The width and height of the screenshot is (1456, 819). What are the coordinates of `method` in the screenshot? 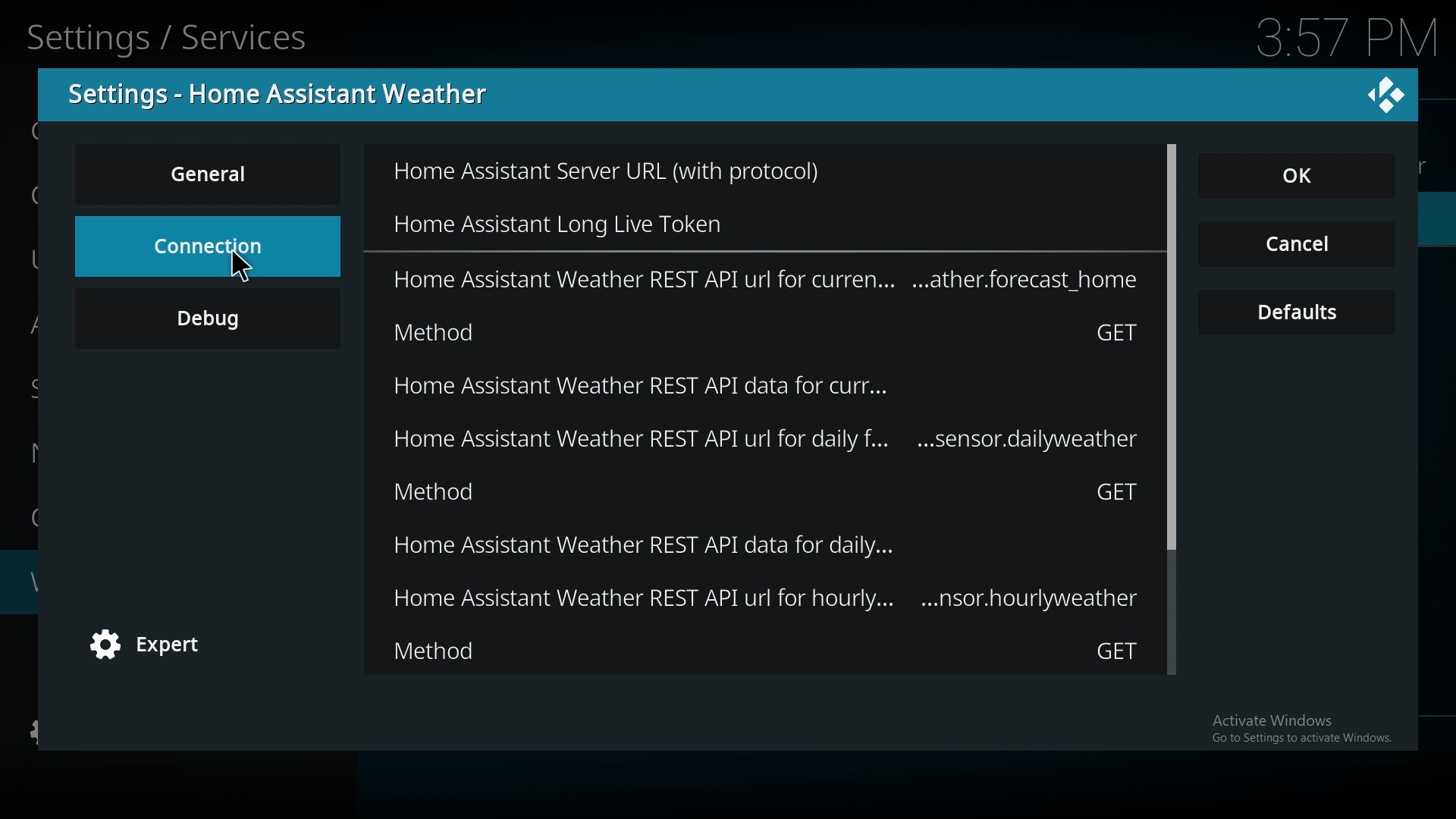 It's located at (766, 491).